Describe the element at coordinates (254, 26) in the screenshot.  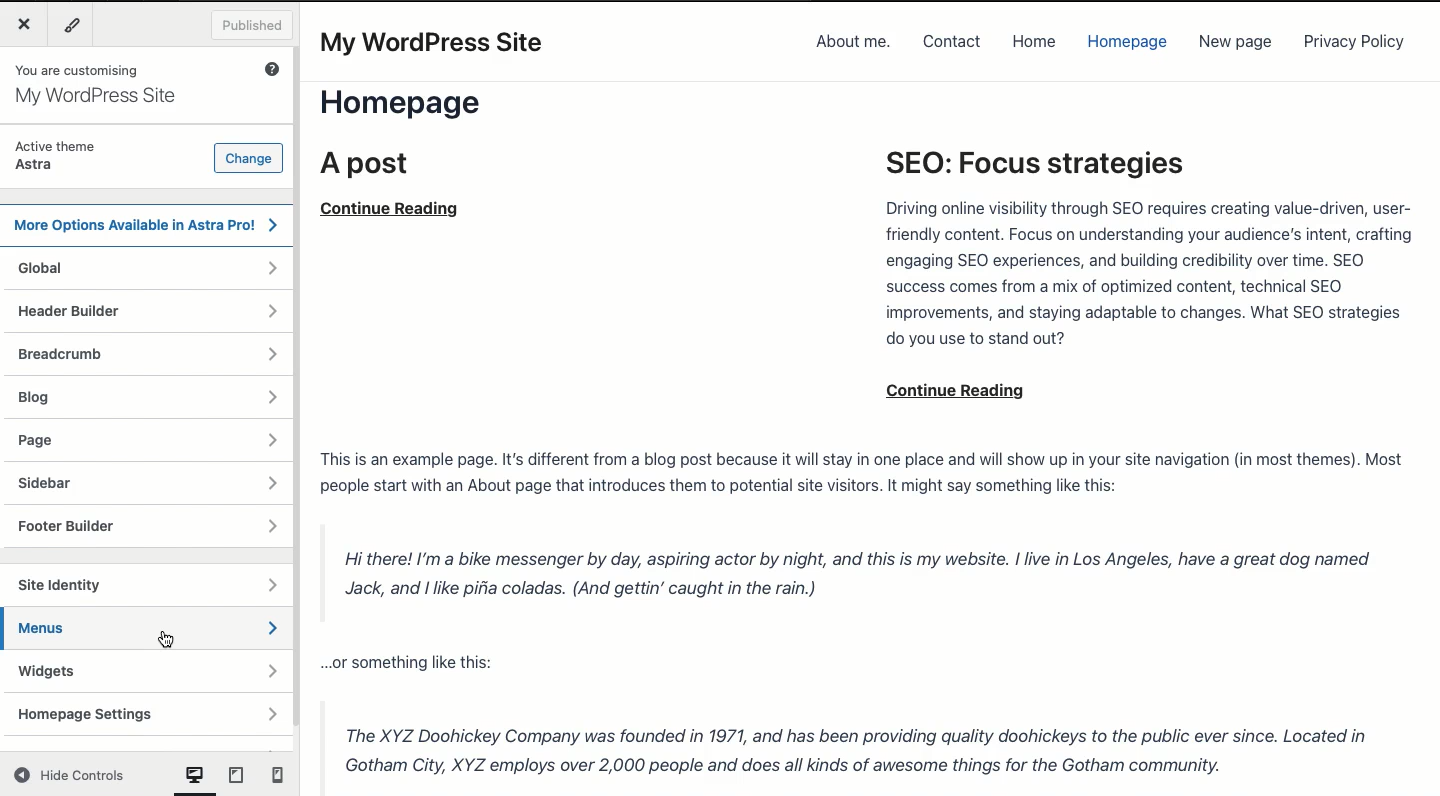
I see `Published` at that location.